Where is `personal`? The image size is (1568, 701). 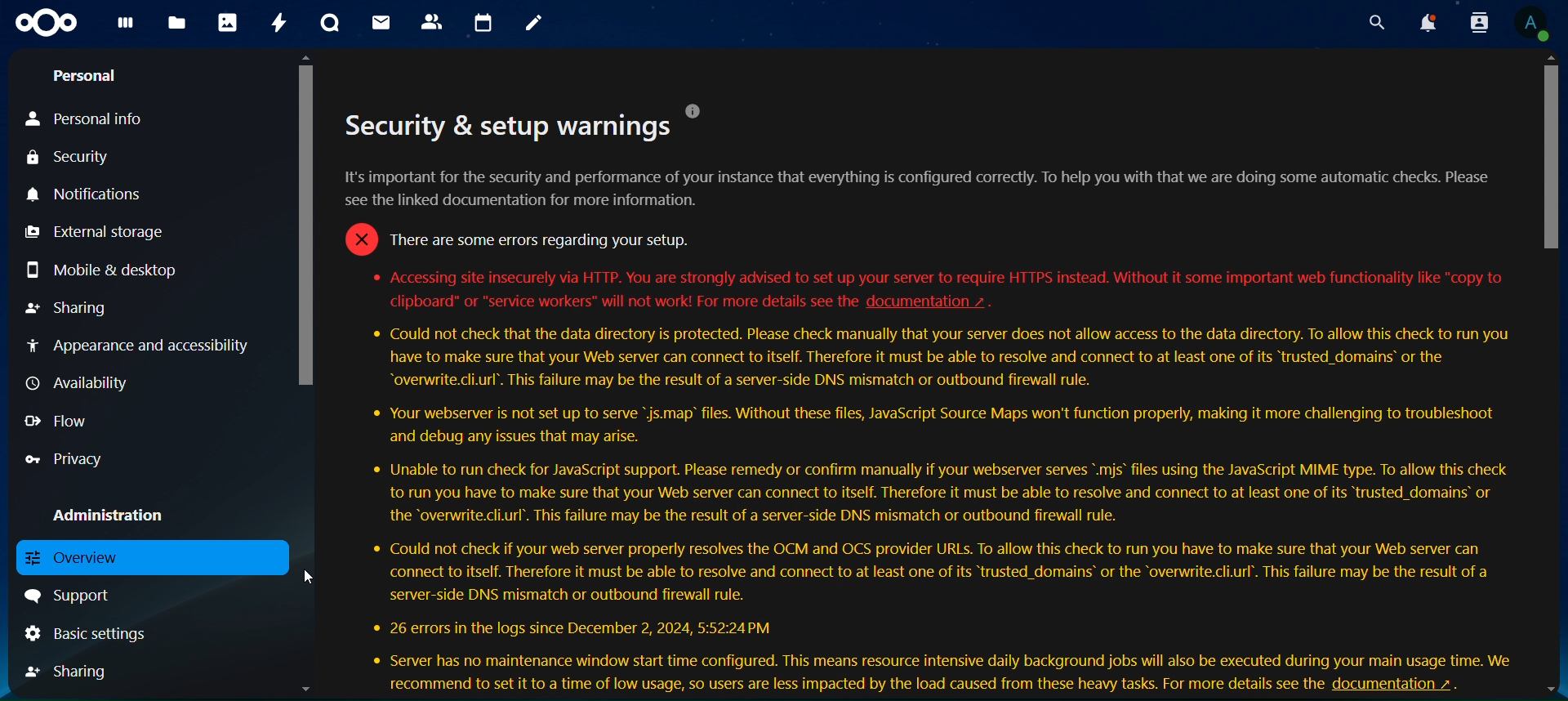
personal is located at coordinates (87, 73).